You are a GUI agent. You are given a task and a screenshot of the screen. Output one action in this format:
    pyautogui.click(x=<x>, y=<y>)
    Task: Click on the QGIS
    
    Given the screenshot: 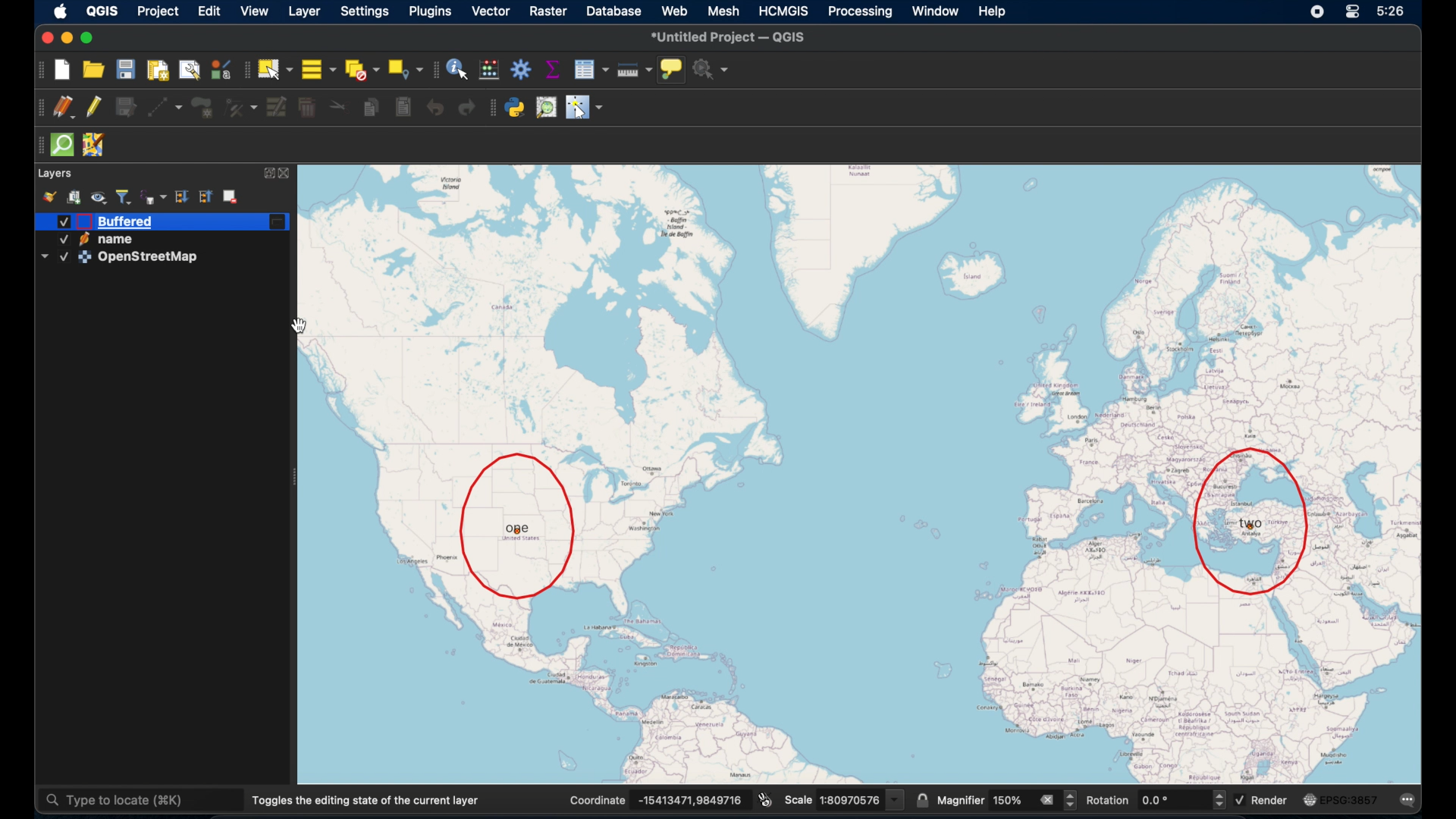 What is the action you would take?
    pyautogui.click(x=102, y=11)
    